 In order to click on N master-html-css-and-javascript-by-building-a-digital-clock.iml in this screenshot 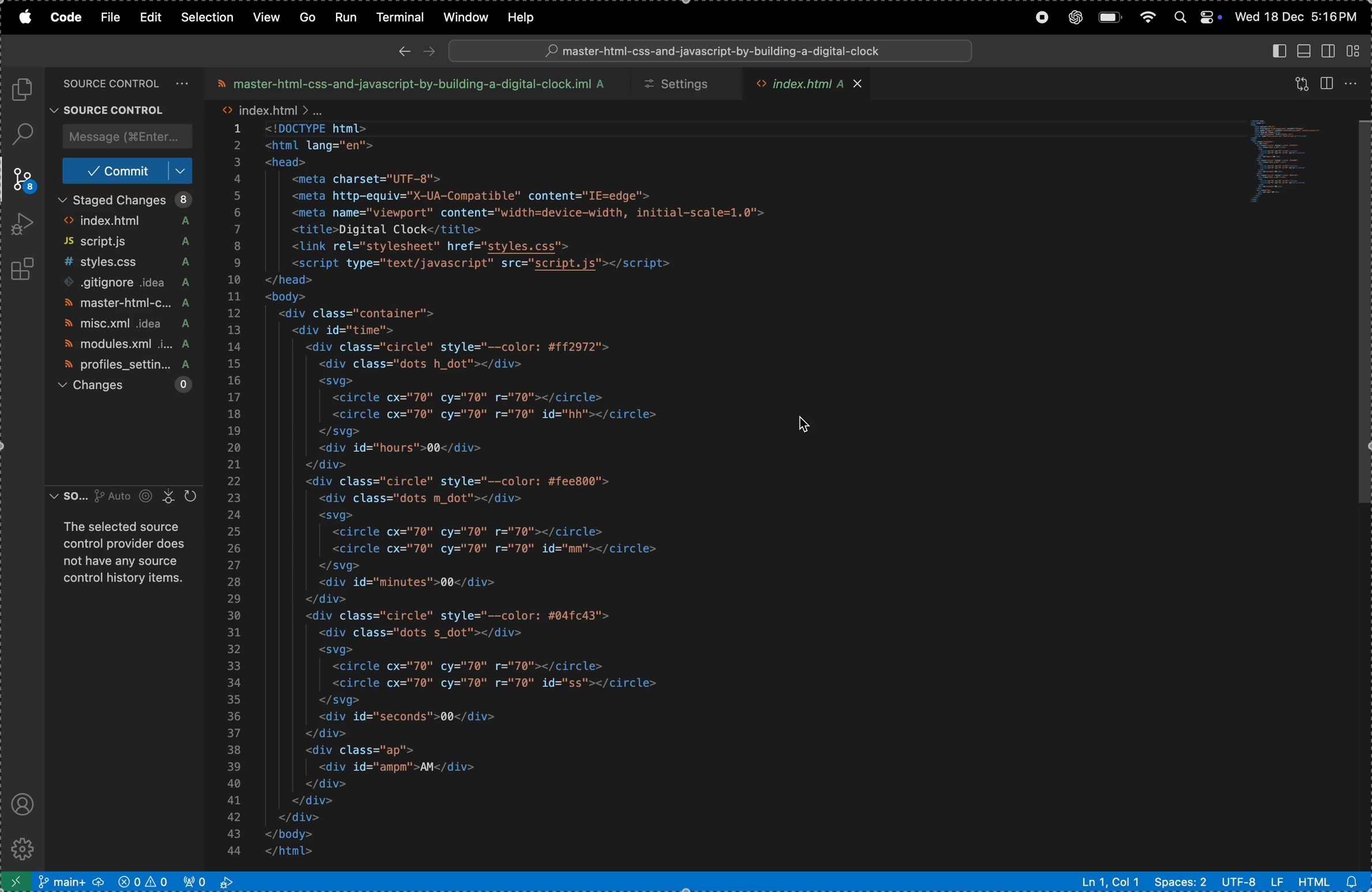, I will do `click(408, 84)`.